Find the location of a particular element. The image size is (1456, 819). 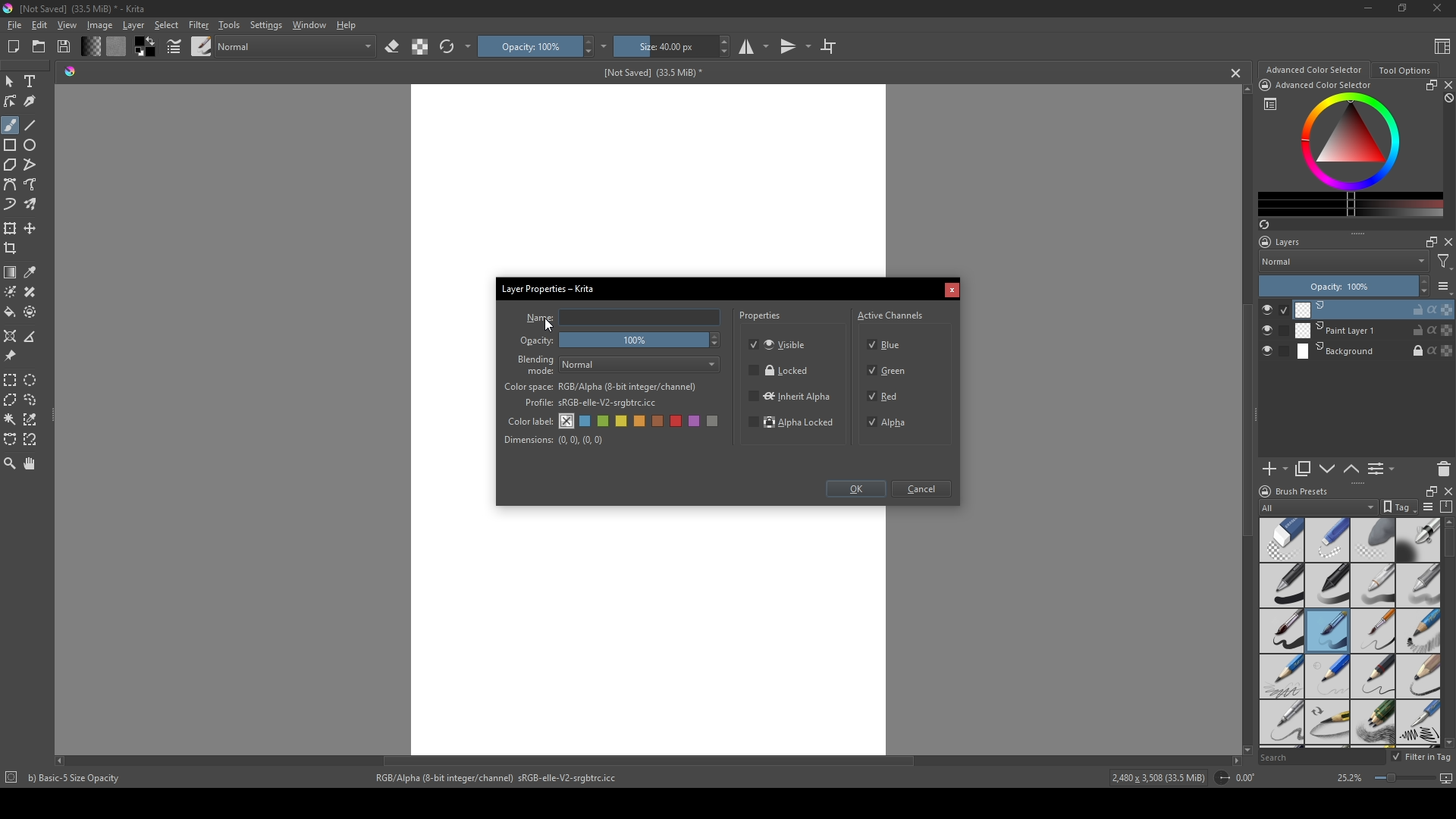

normal is located at coordinates (295, 45).